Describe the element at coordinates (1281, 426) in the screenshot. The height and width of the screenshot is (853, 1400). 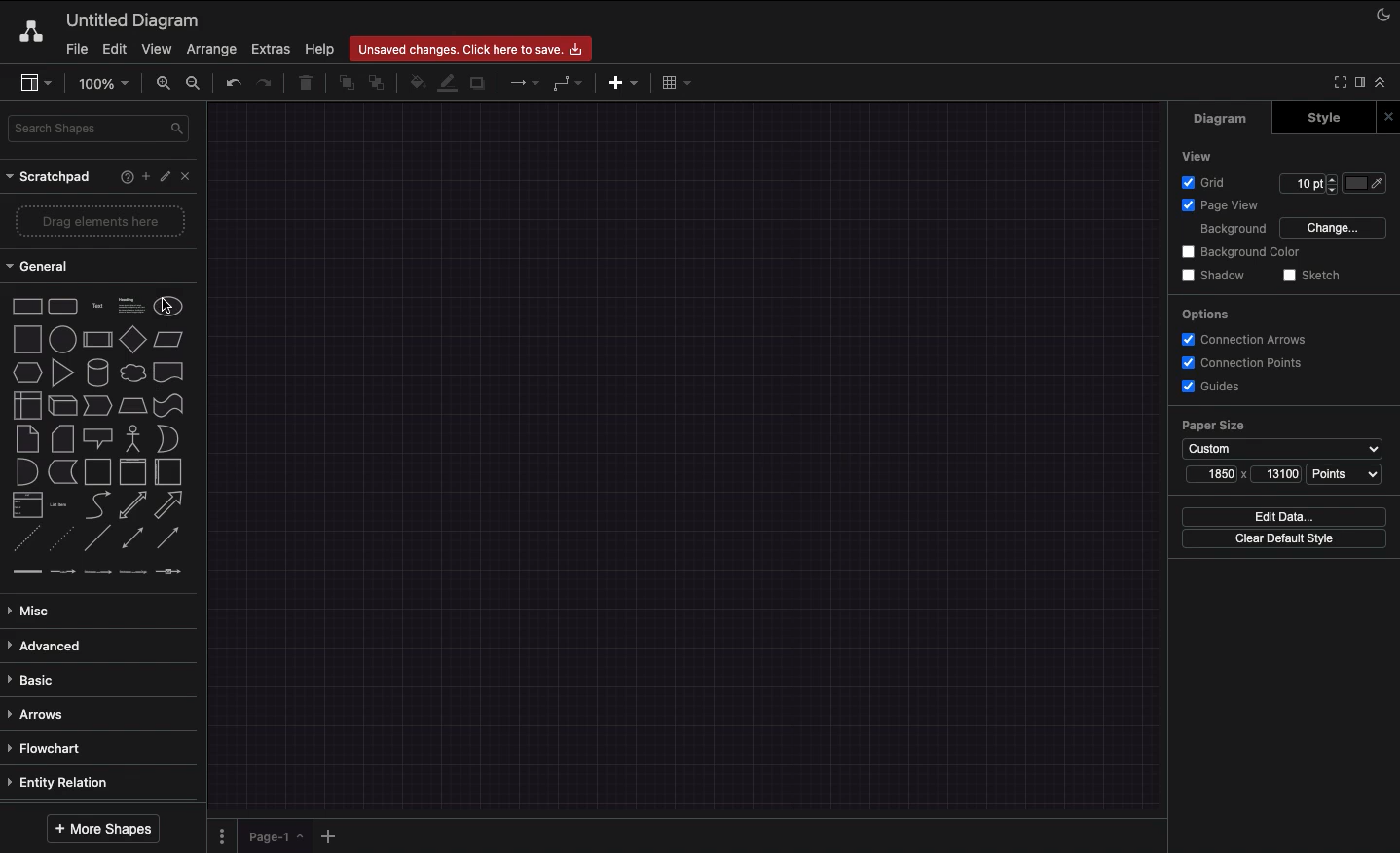
I see `Paper size` at that location.